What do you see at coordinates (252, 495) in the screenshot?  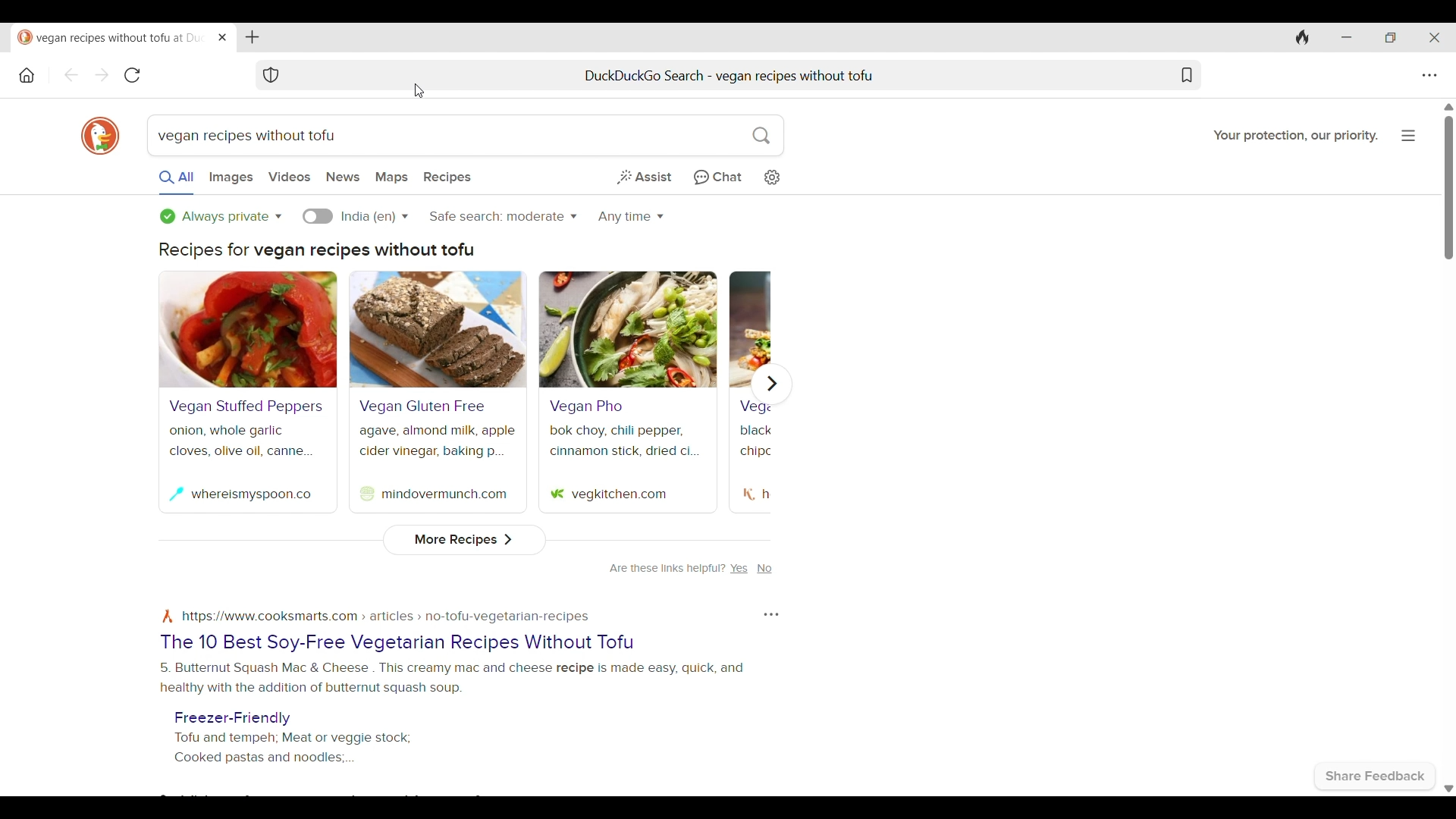 I see `whereismyspoon.co` at bounding box center [252, 495].